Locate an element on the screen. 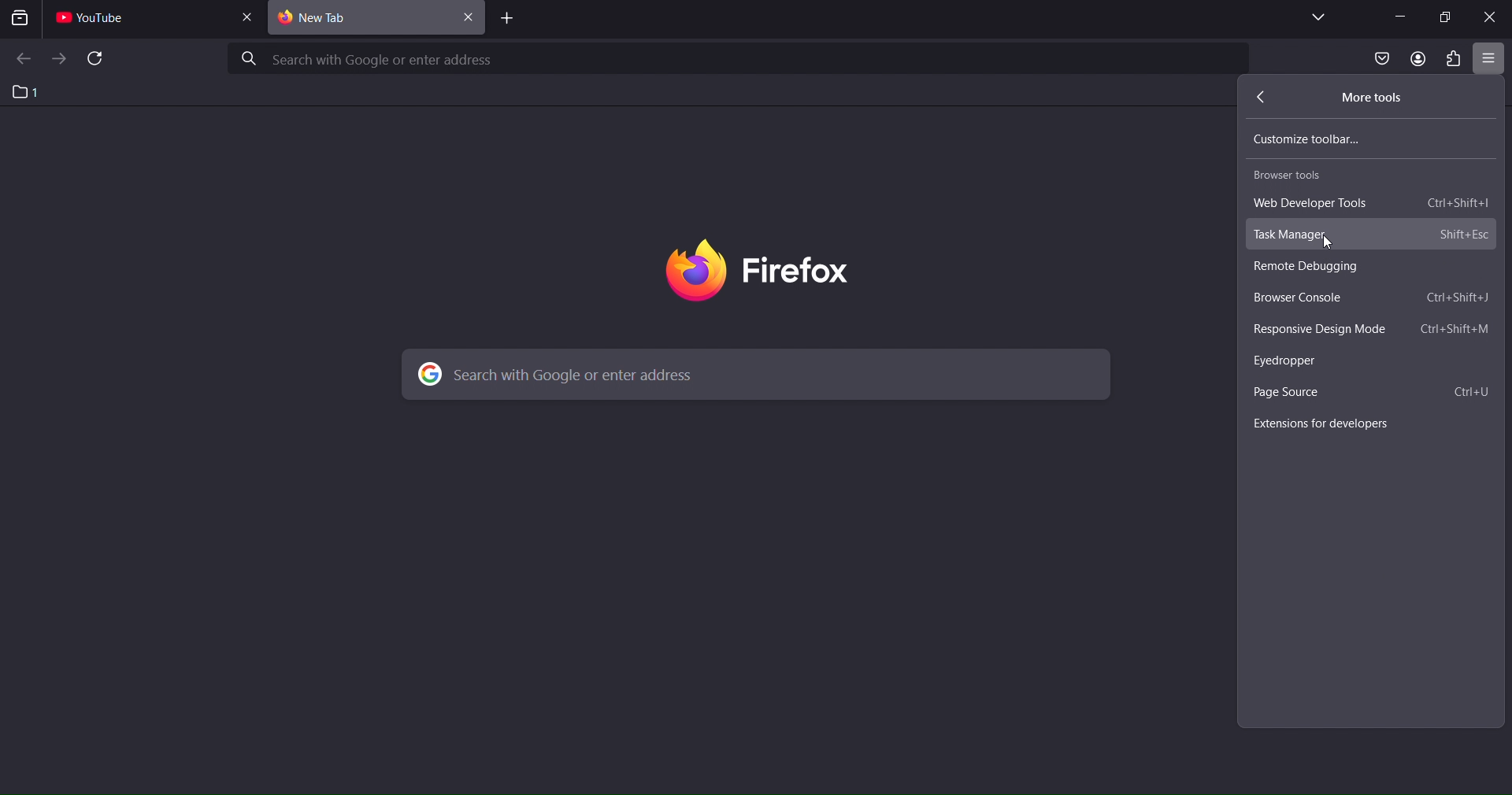 The image size is (1512, 795). minimize is located at coordinates (1399, 16).